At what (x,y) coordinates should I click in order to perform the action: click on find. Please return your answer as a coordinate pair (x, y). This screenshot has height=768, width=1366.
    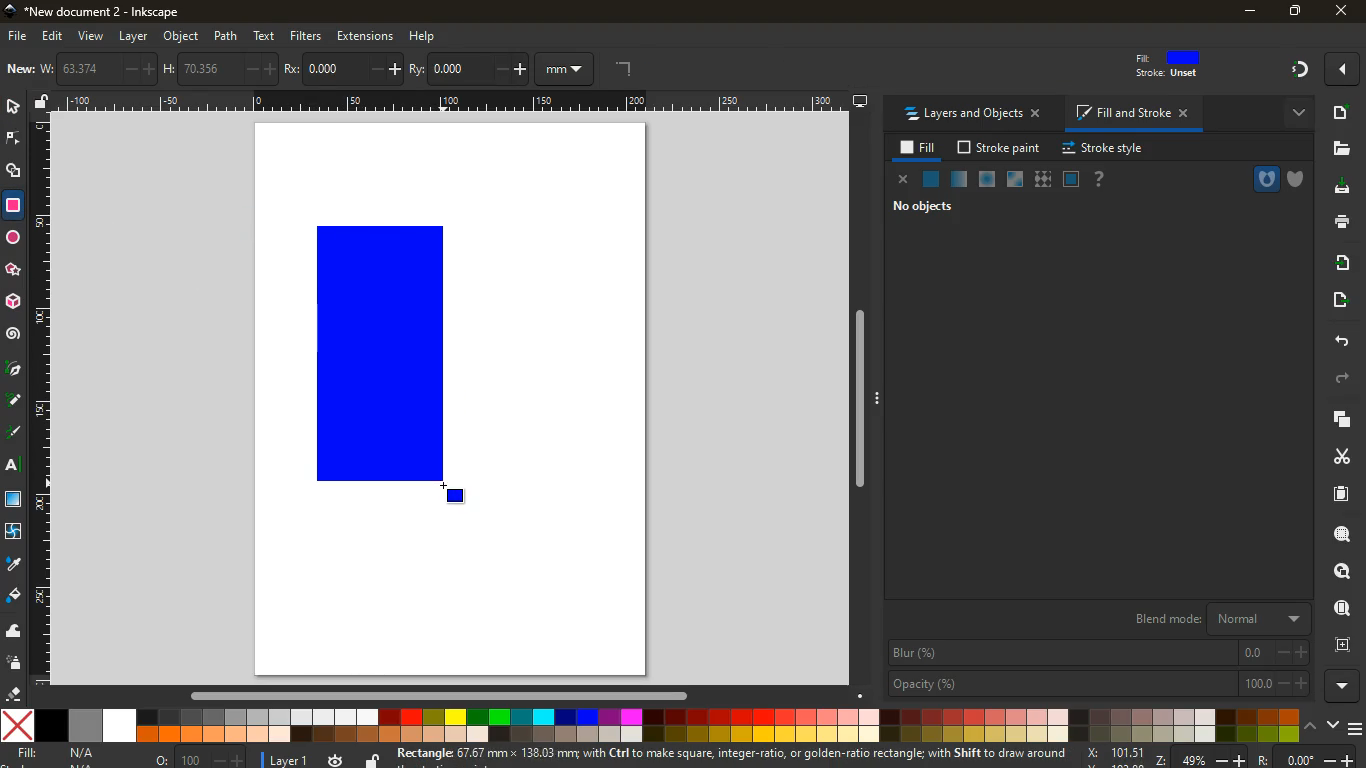
    Looking at the image, I should click on (1341, 608).